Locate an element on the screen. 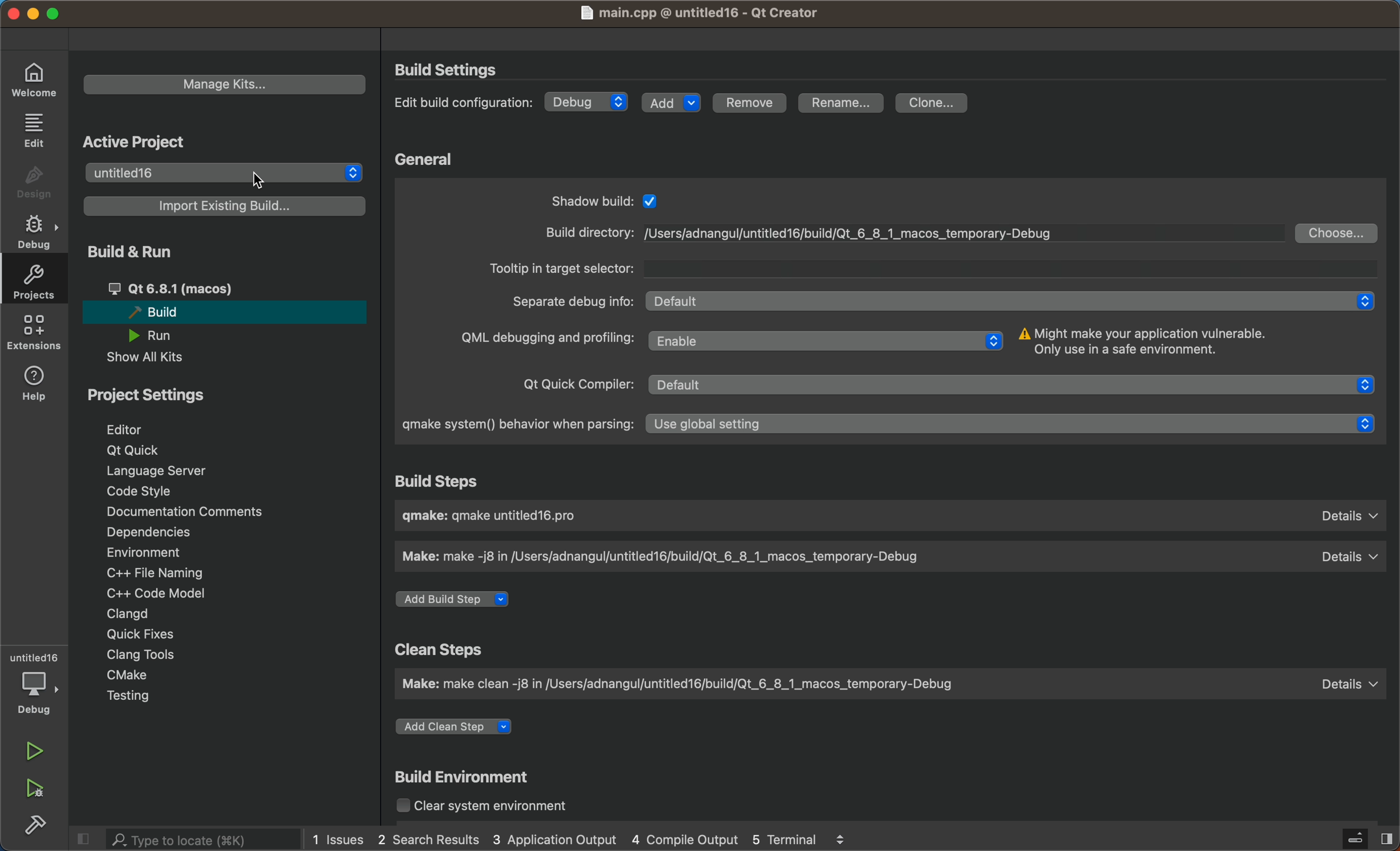 Image resolution: width=1400 pixels, height=851 pixels. manage kits is located at coordinates (227, 82).